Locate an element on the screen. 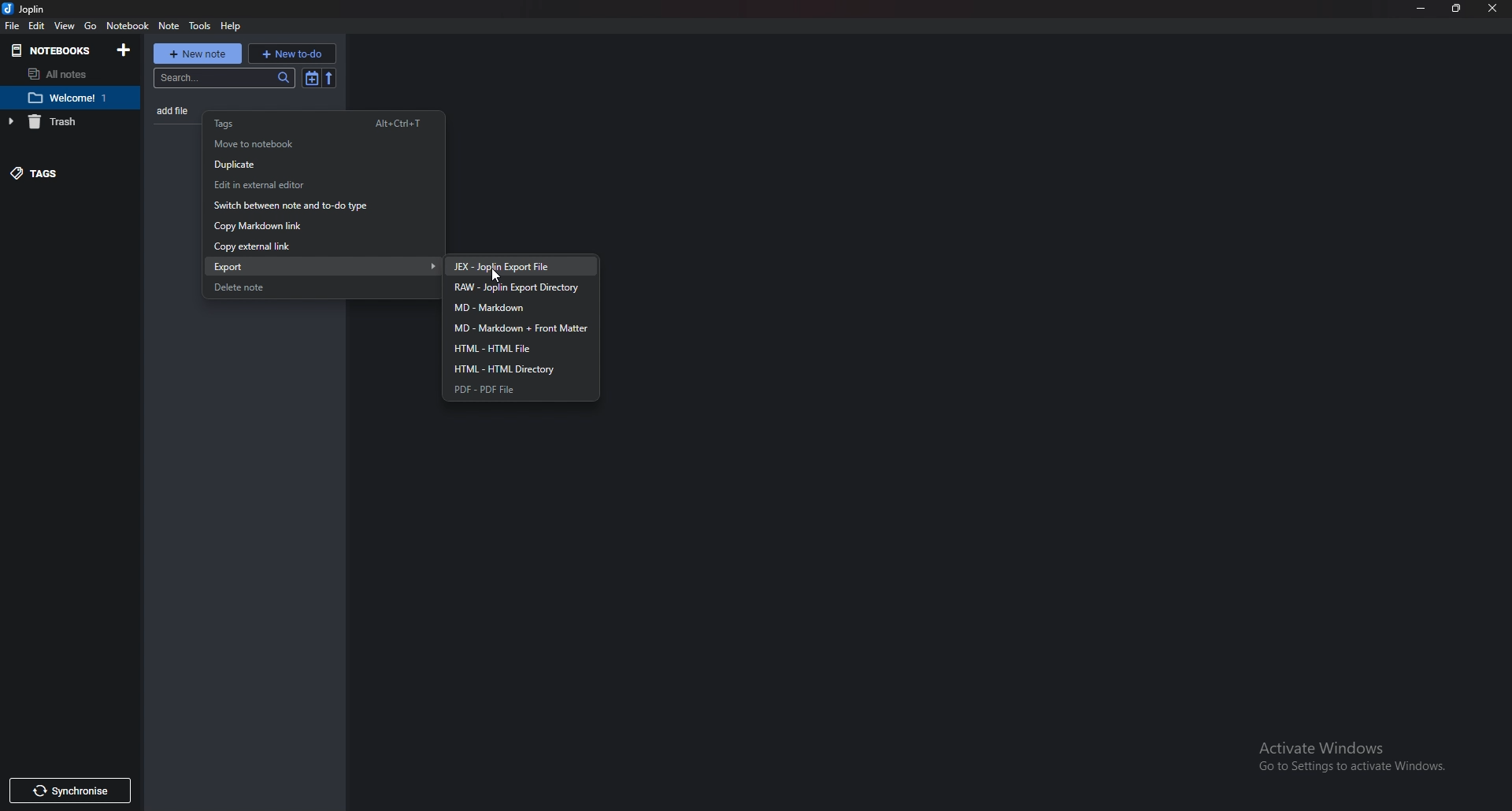 This screenshot has height=811, width=1512. Notebook is located at coordinates (128, 25).